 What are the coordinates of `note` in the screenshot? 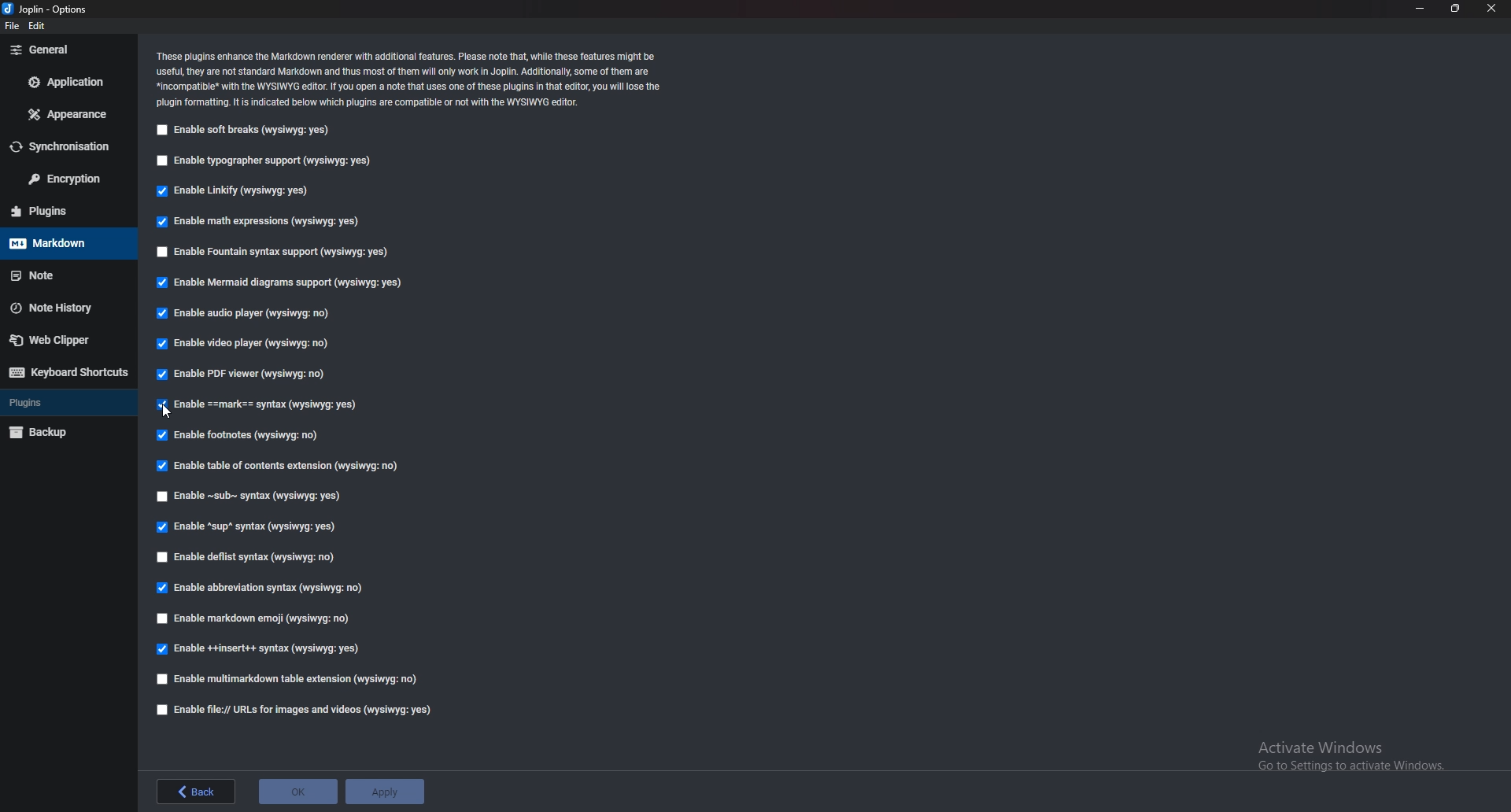 It's located at (65, 275).